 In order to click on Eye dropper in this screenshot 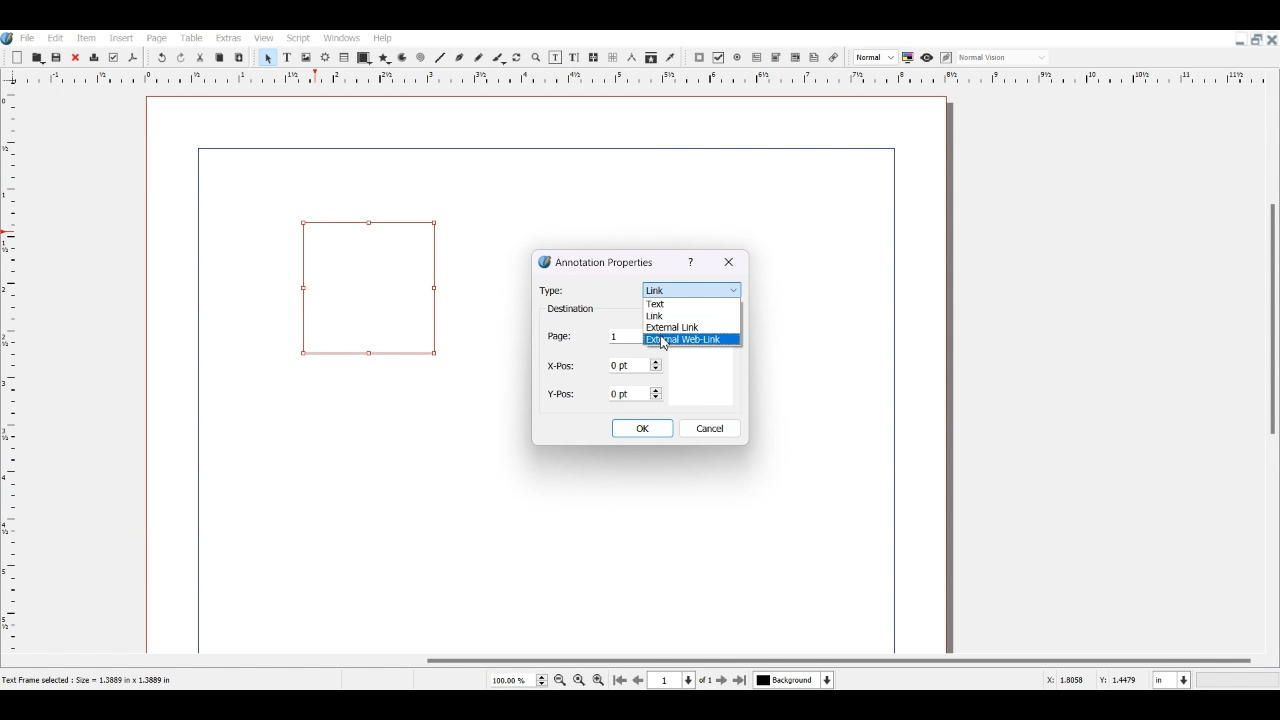, I will do `click(670, 57)`.